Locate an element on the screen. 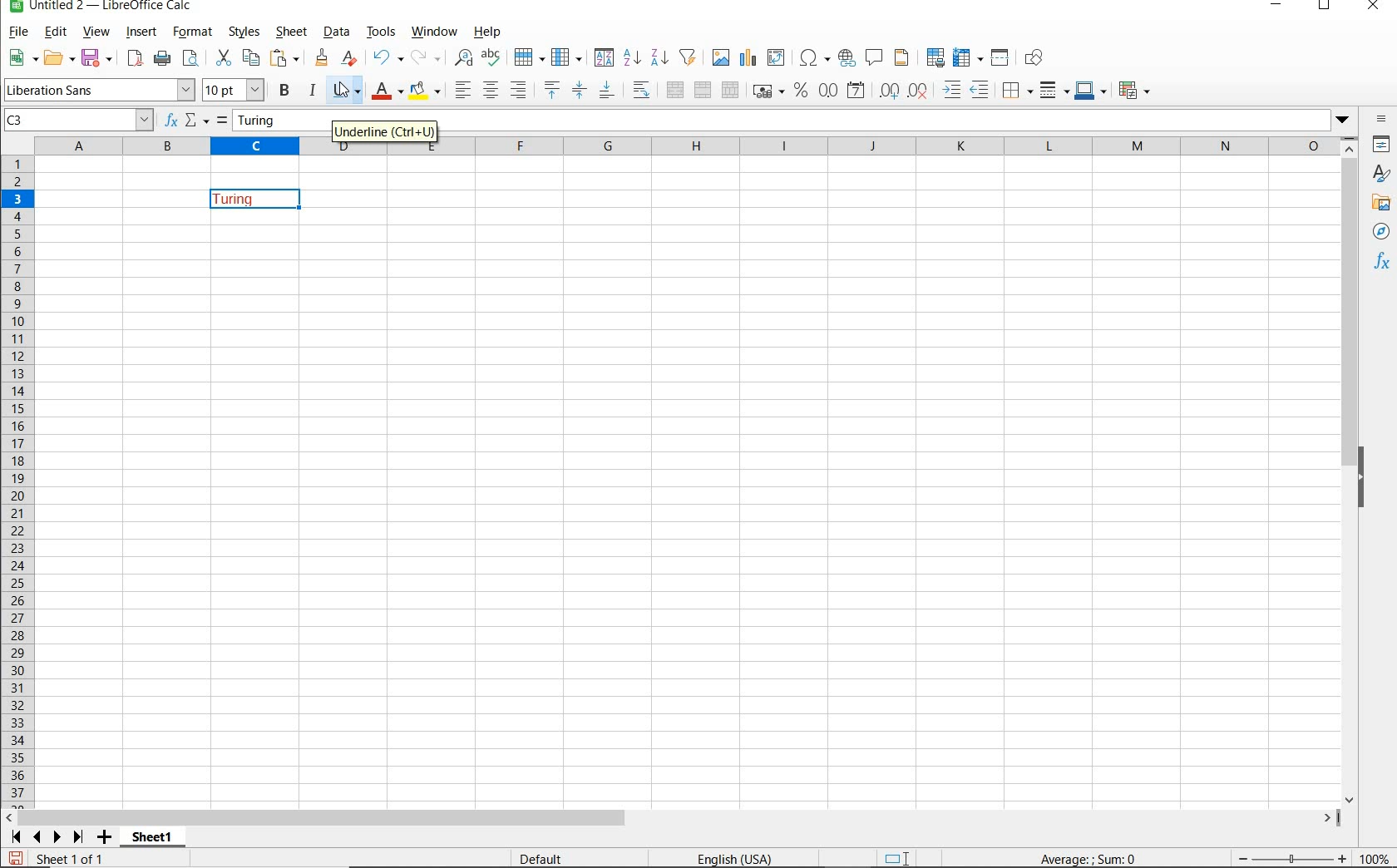 The width and height of the screenshot is (1397, 868). FILE is located at coordinates (17, 33).